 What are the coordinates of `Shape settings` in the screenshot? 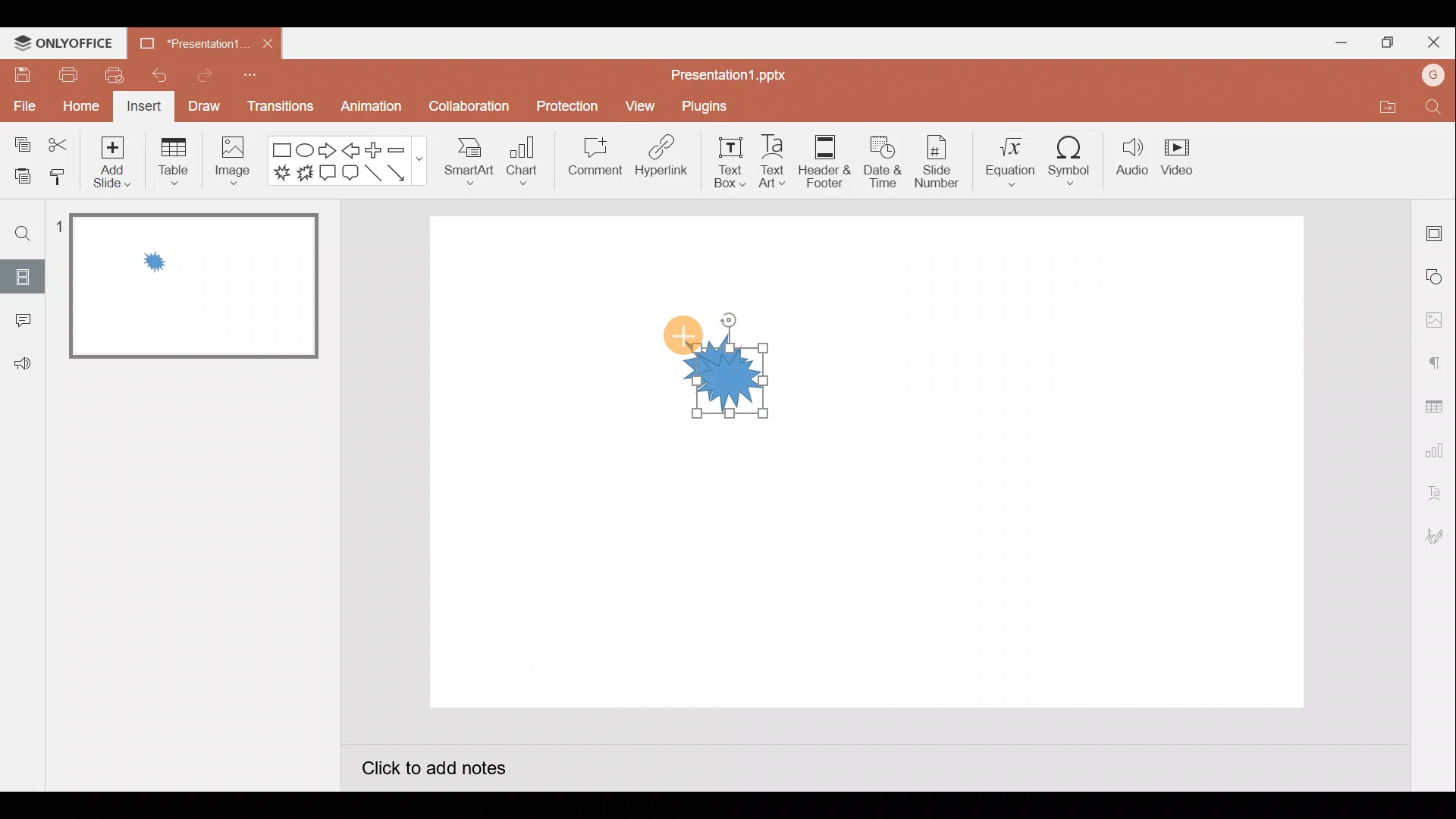 It's located at (1437, 275).